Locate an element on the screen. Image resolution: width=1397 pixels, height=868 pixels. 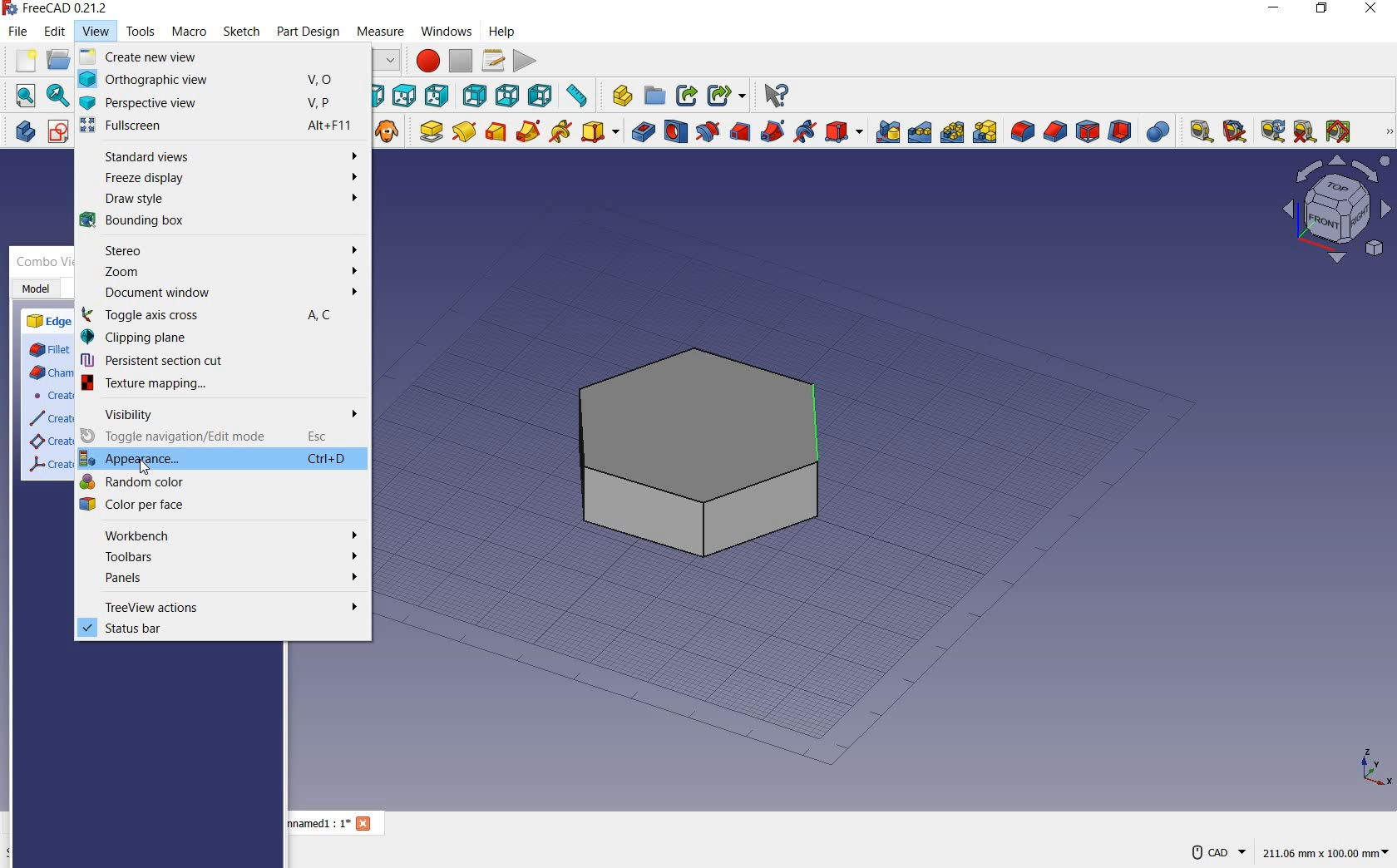
subtractive helix is located at coordinates (805, 133).